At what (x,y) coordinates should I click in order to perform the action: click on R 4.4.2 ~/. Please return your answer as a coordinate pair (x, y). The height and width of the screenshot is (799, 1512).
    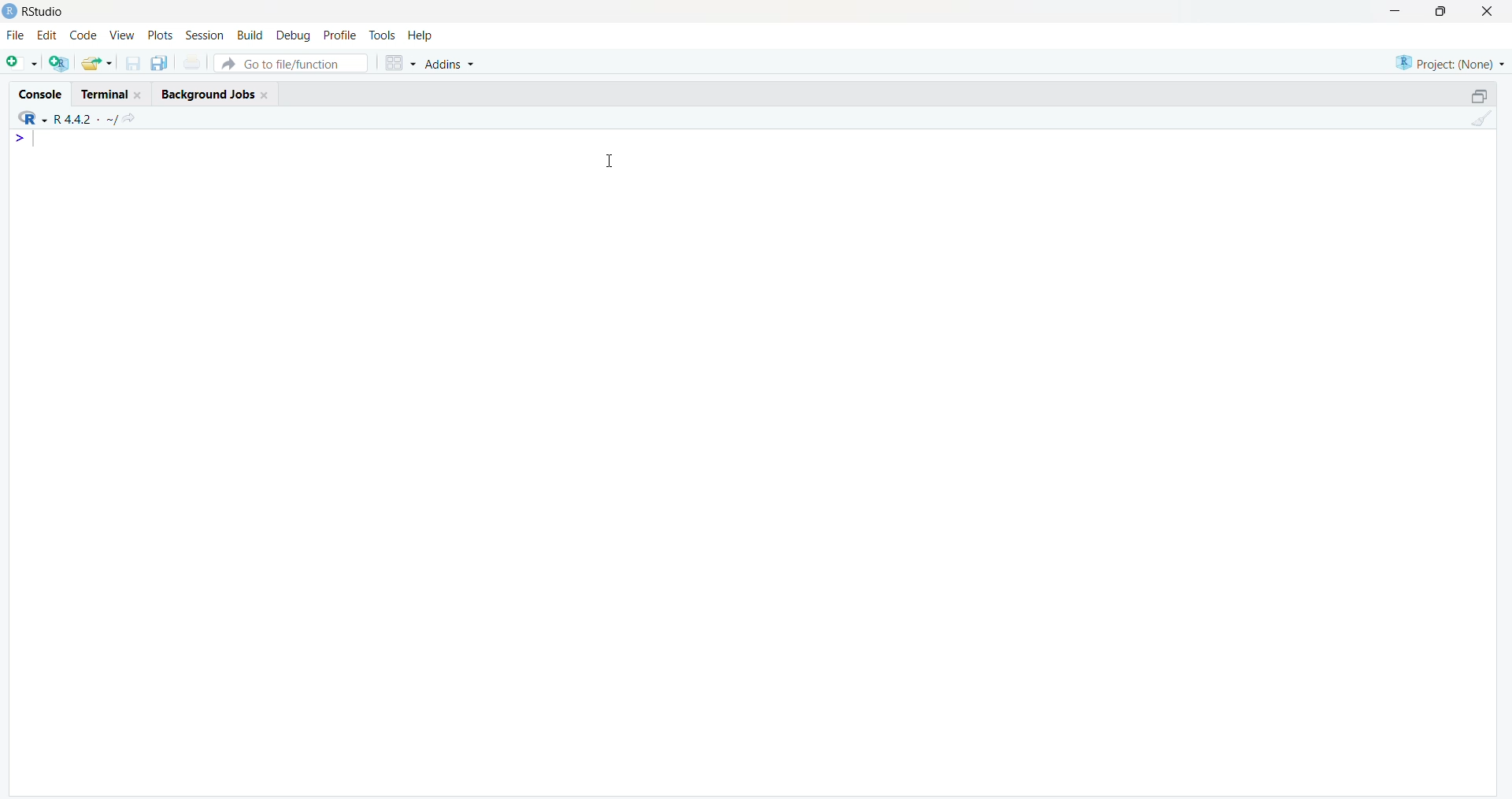
    Looking at the image, I should click on (87, 119).